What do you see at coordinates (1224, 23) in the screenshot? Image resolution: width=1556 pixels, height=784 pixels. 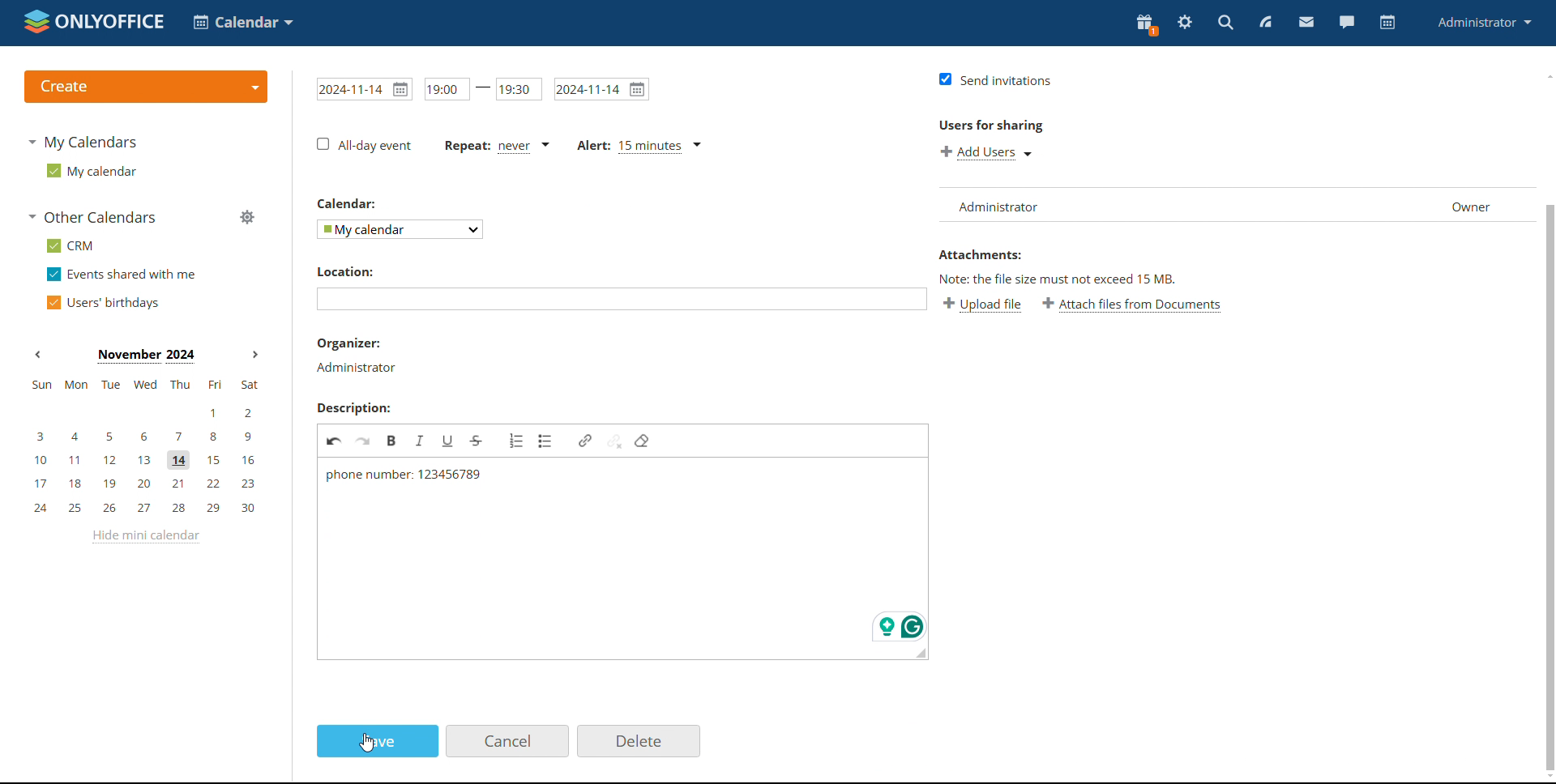 I see `search` at bounding box center [1224, 23].